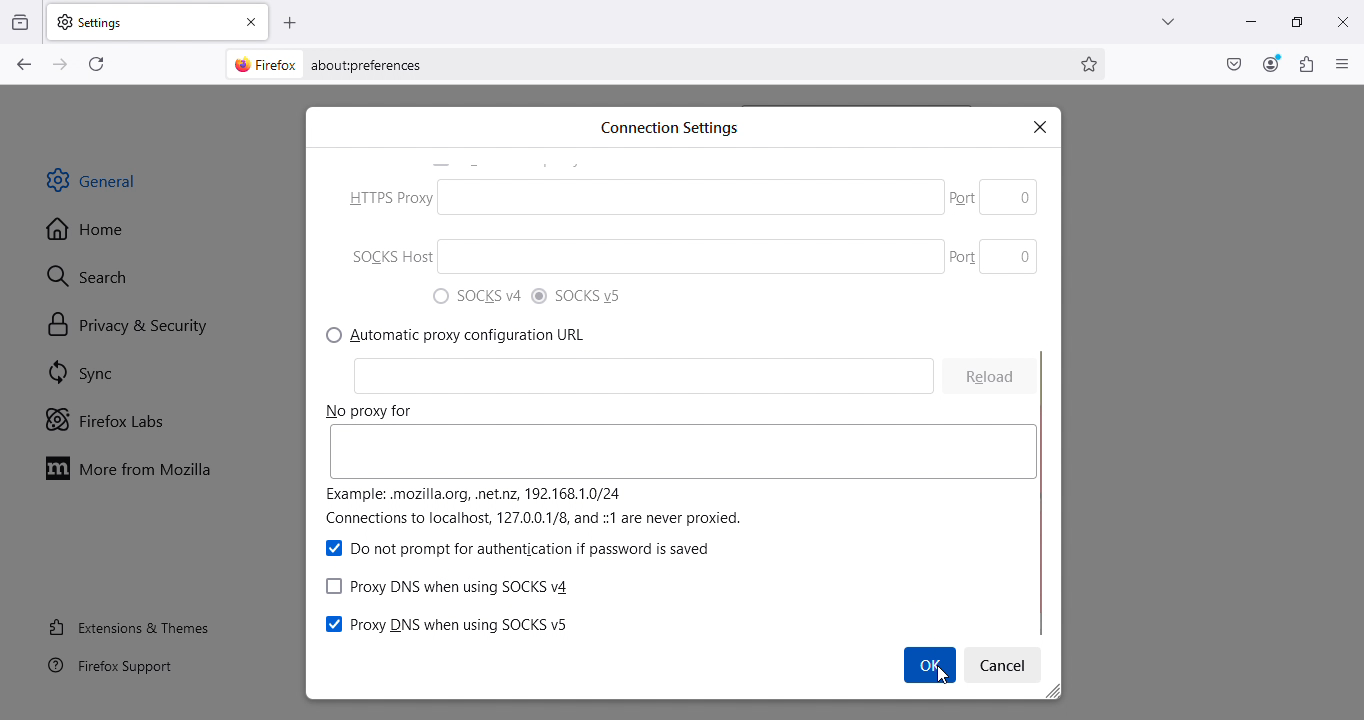 This screenshot has width=1364, height=720. I want to click on Close, so click(1342, 21).